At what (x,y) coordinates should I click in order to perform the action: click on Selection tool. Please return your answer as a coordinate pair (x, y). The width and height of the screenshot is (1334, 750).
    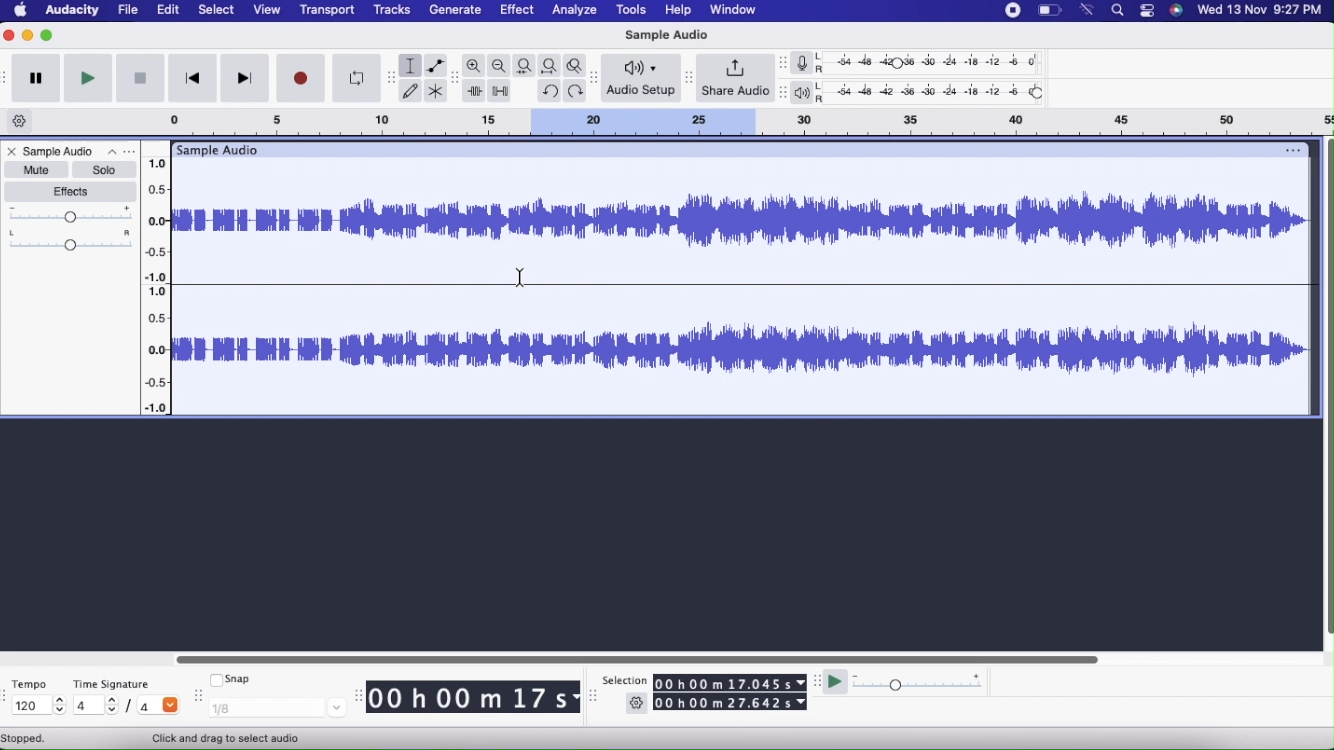
    Looking at the image, I should click on (411, 66).